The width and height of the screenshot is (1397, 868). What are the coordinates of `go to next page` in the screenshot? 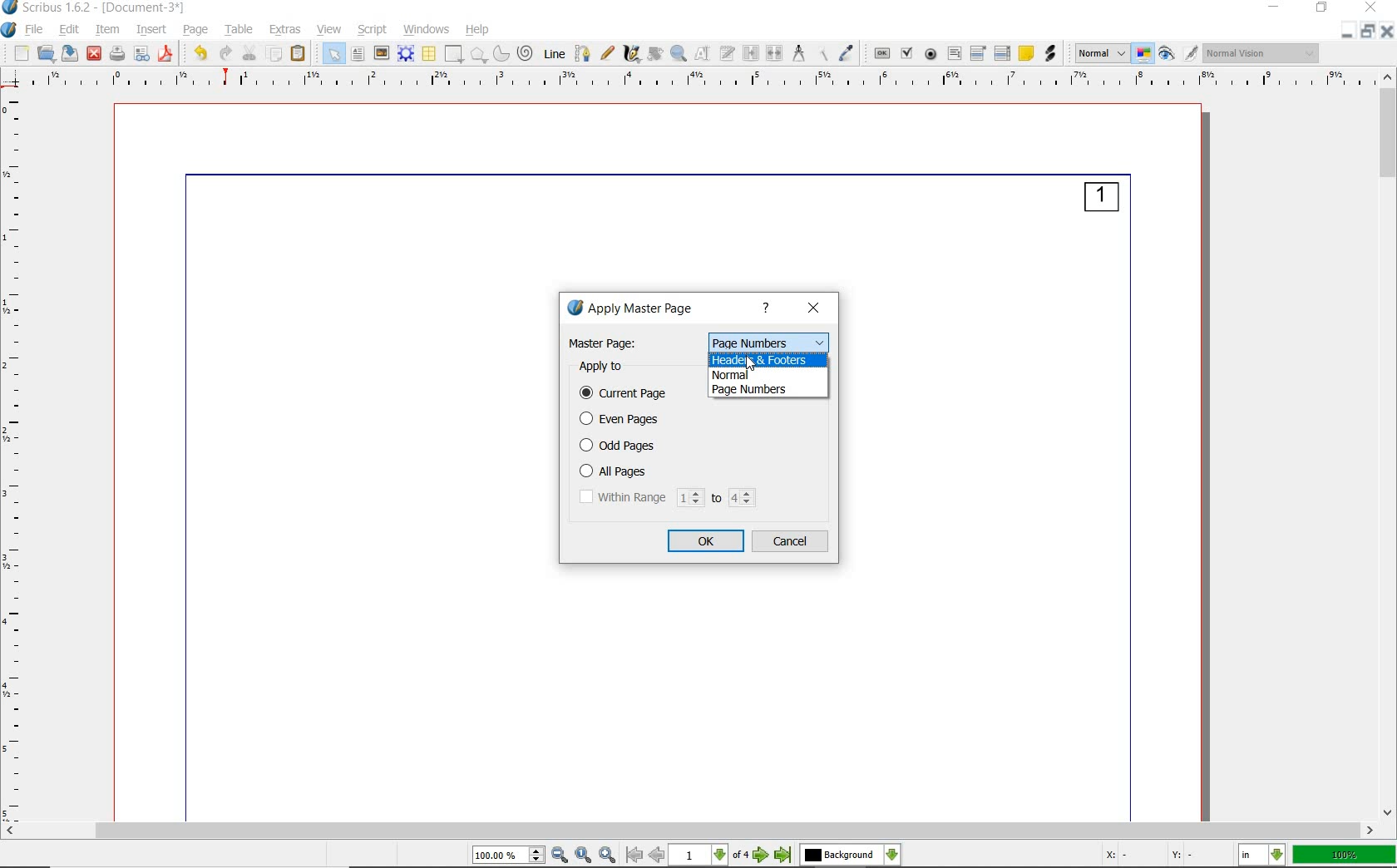 It's located at (762, 856).